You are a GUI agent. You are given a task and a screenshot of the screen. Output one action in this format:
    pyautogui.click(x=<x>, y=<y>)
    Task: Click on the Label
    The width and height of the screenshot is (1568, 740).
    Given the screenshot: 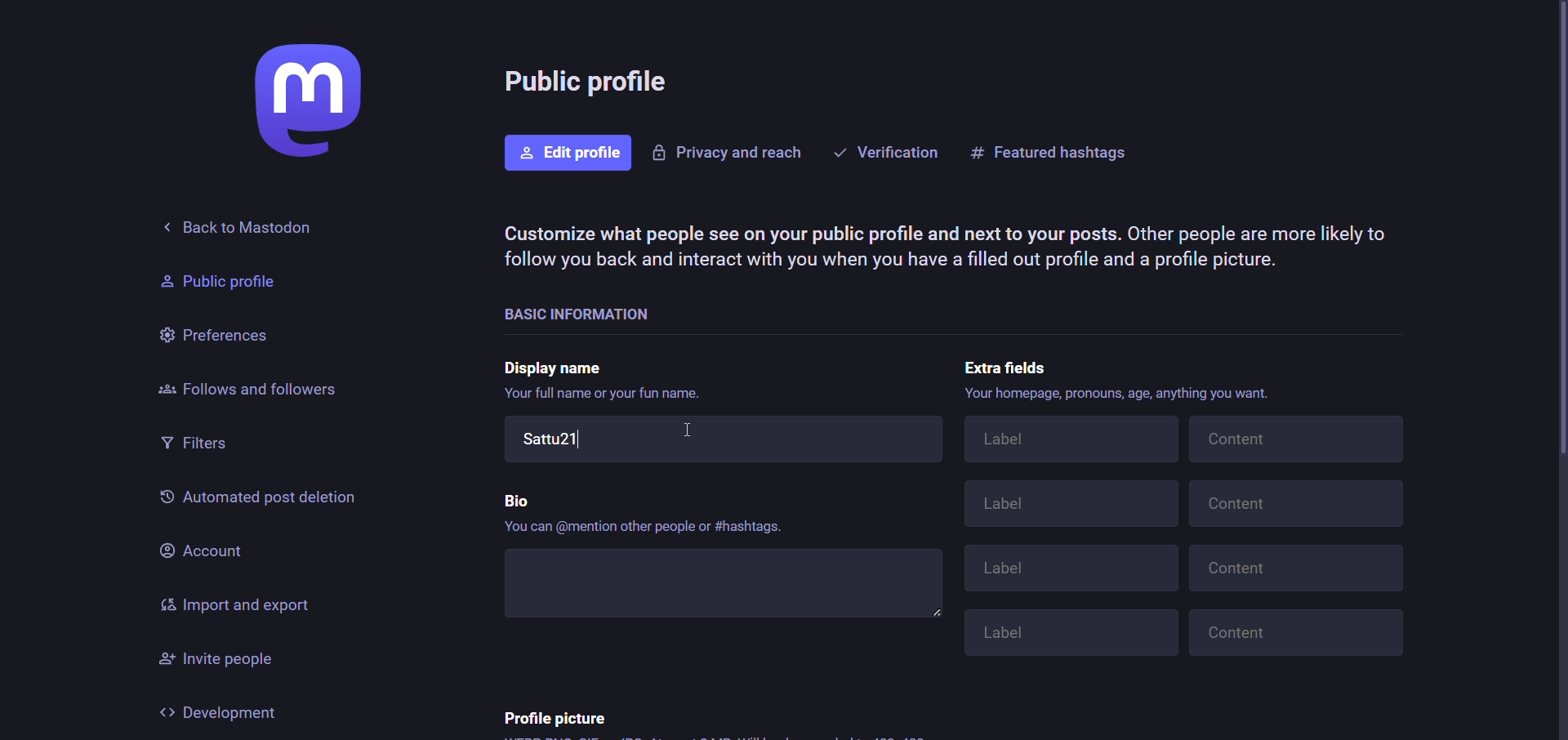 What is the action you would take?
    pyautogui.click(x=1068, y=635)
    